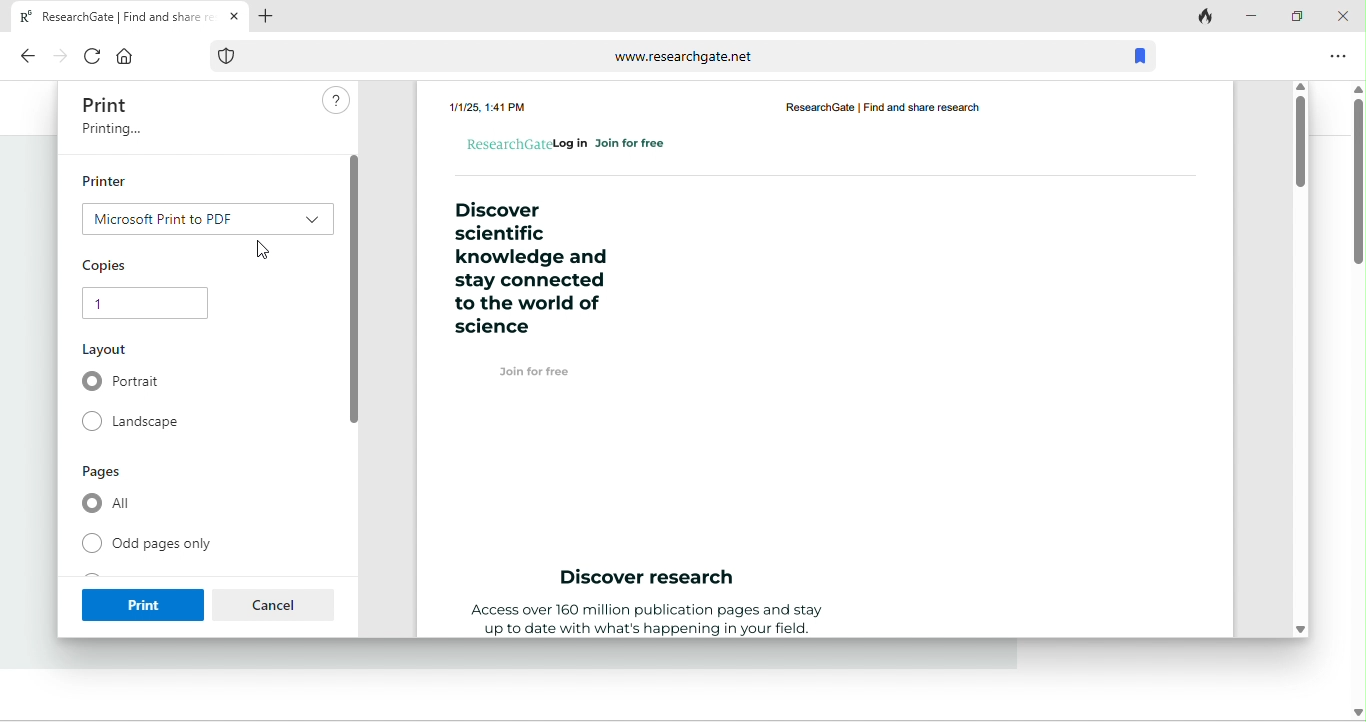 This screenshot has height=722, width=1366. What do you see at coordinates (140, 602) in the screenshot?
I see `print` at bounding box center [140, 602].